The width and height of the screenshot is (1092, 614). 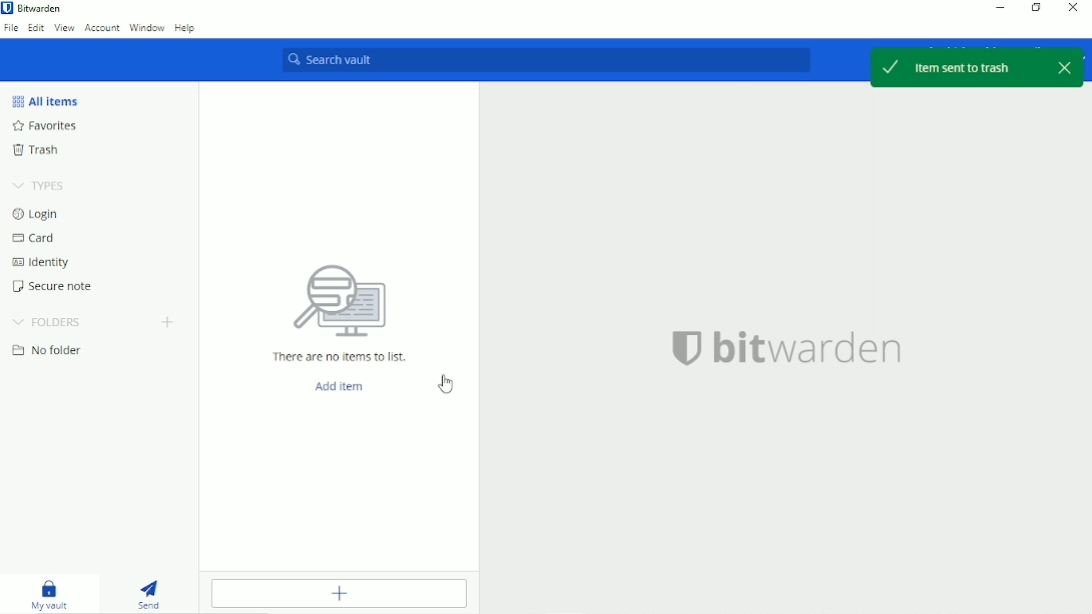 I want to click on select, so click(x=892, y=70).